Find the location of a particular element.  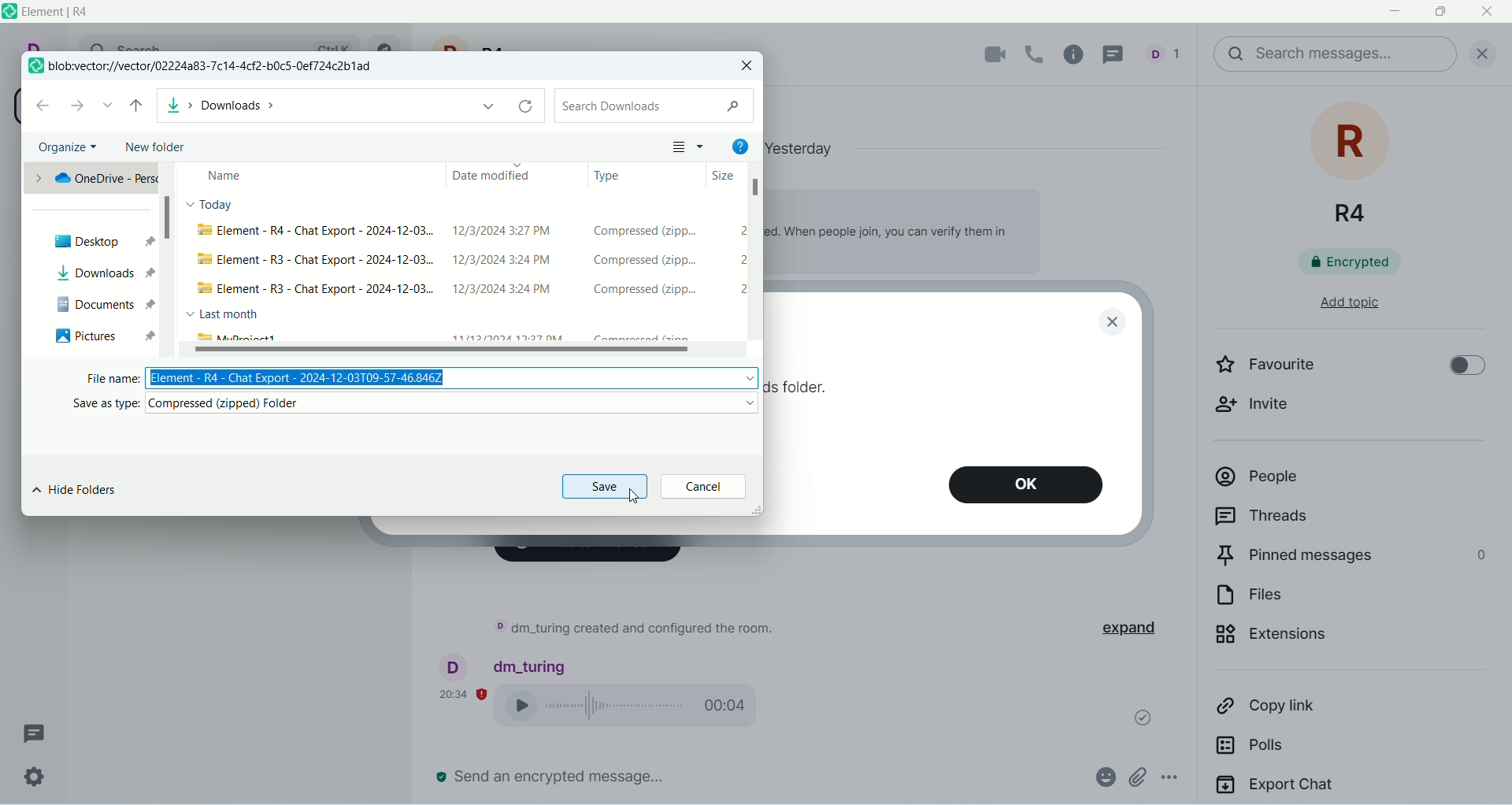

expand is located at coordinates (1140, 629).